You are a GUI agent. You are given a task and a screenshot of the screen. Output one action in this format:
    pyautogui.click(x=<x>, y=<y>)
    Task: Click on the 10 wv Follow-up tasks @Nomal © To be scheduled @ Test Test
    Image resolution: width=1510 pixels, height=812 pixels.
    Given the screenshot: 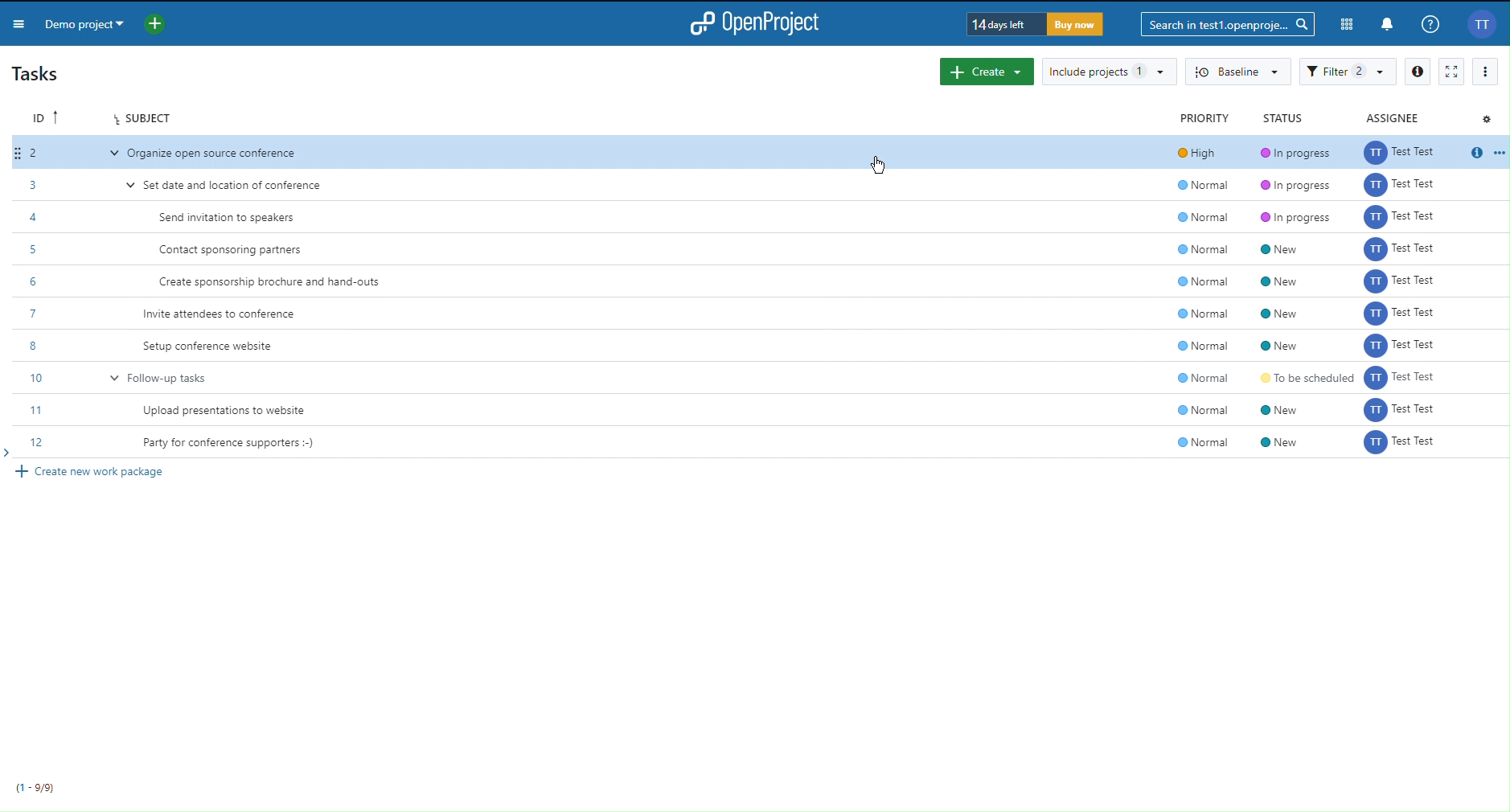 What is the action you would take?
    pyautogui.click(x=763, y=378)
    